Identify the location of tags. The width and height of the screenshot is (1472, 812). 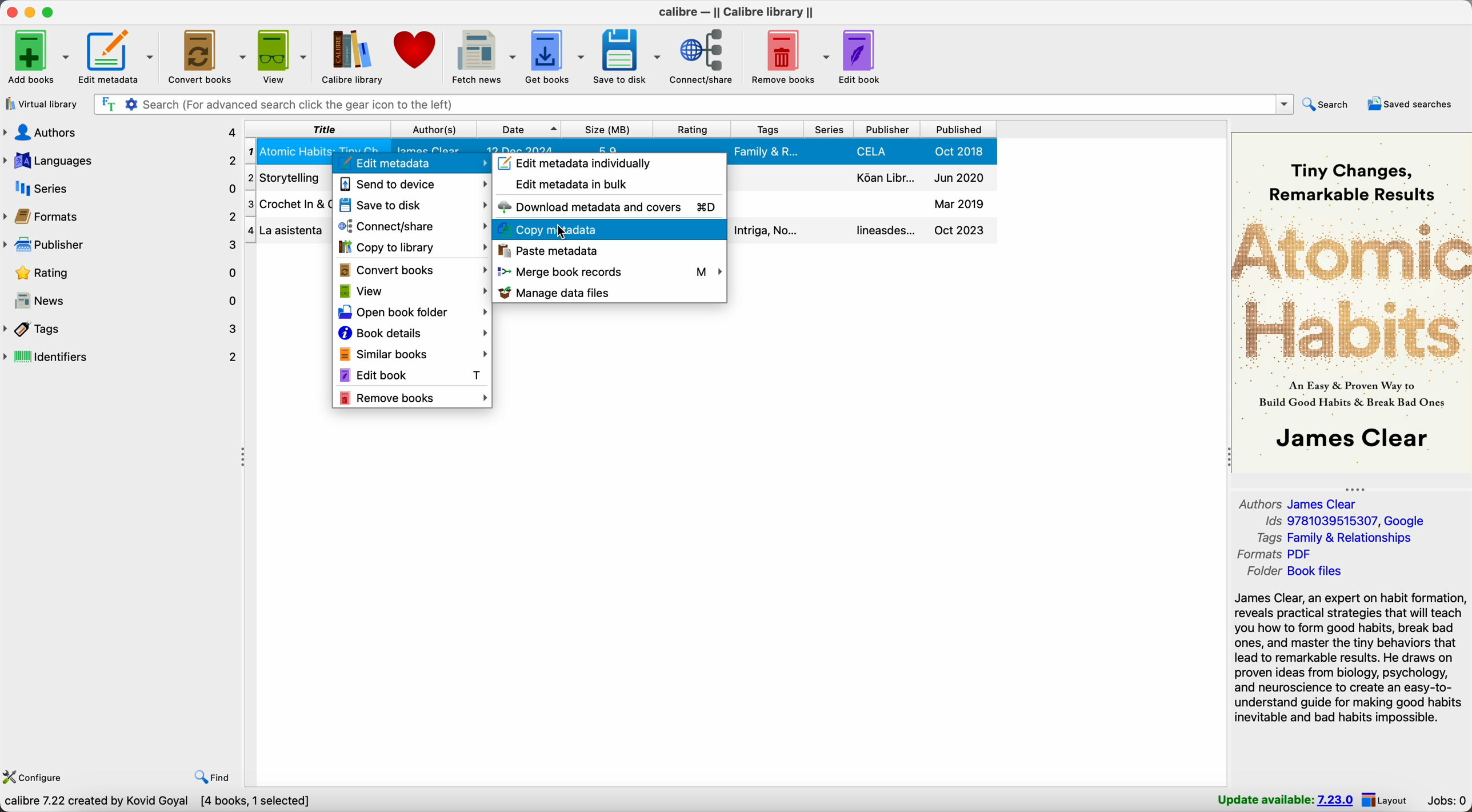
(769, 128).